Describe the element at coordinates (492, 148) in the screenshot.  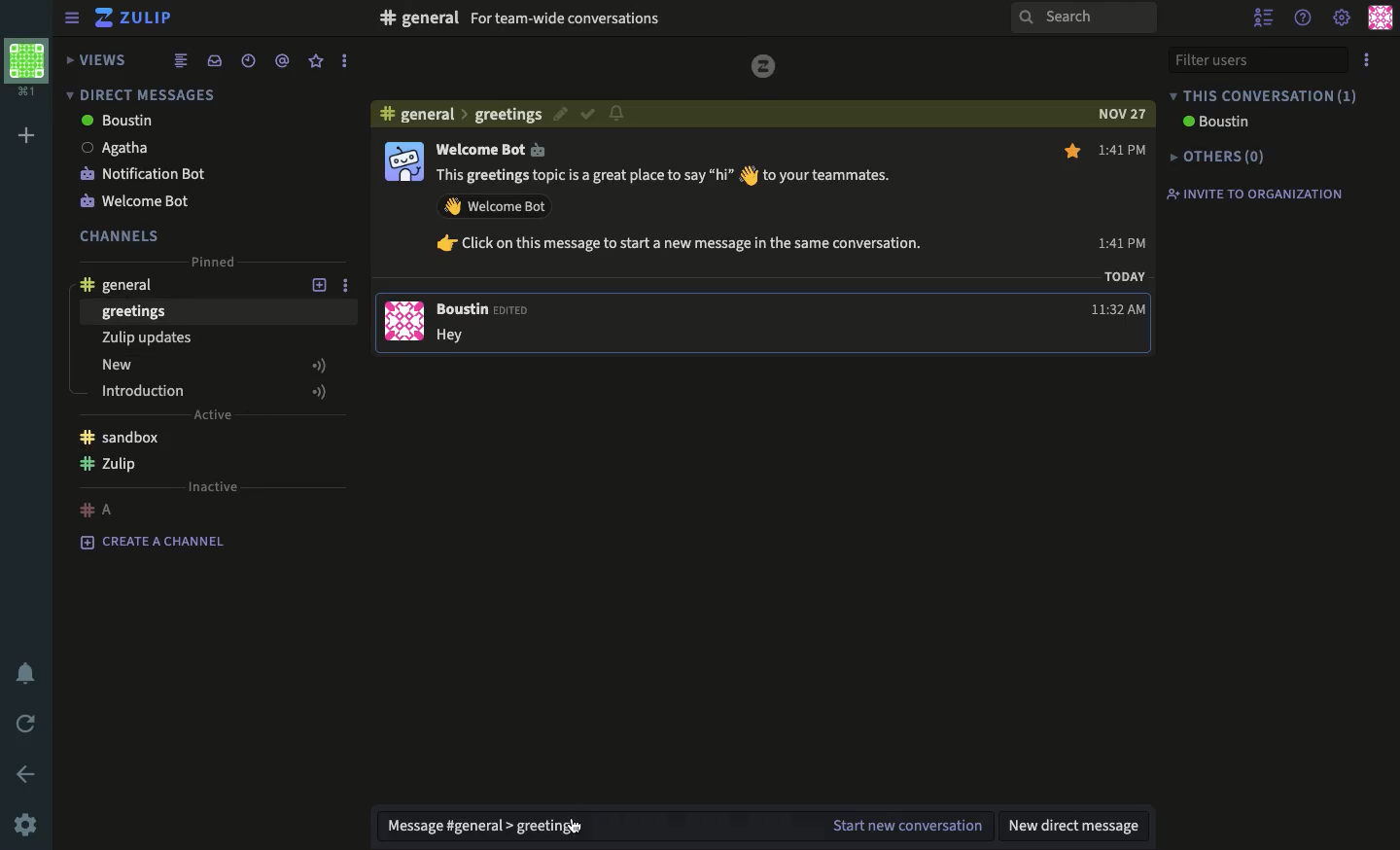
I see `Welcome Bot` at that location.